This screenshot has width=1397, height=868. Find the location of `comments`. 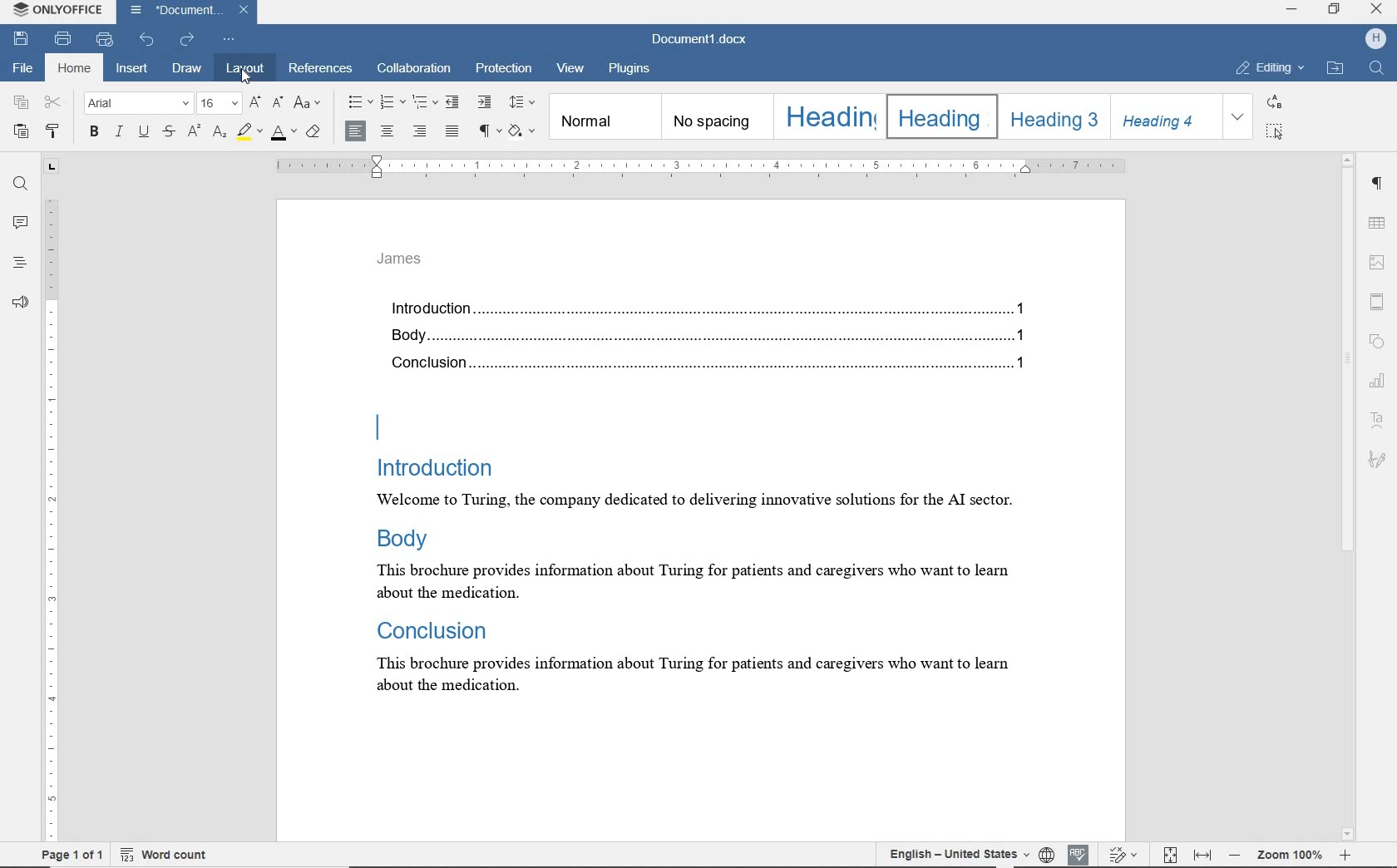

comments is located at coordinates (20, 223).